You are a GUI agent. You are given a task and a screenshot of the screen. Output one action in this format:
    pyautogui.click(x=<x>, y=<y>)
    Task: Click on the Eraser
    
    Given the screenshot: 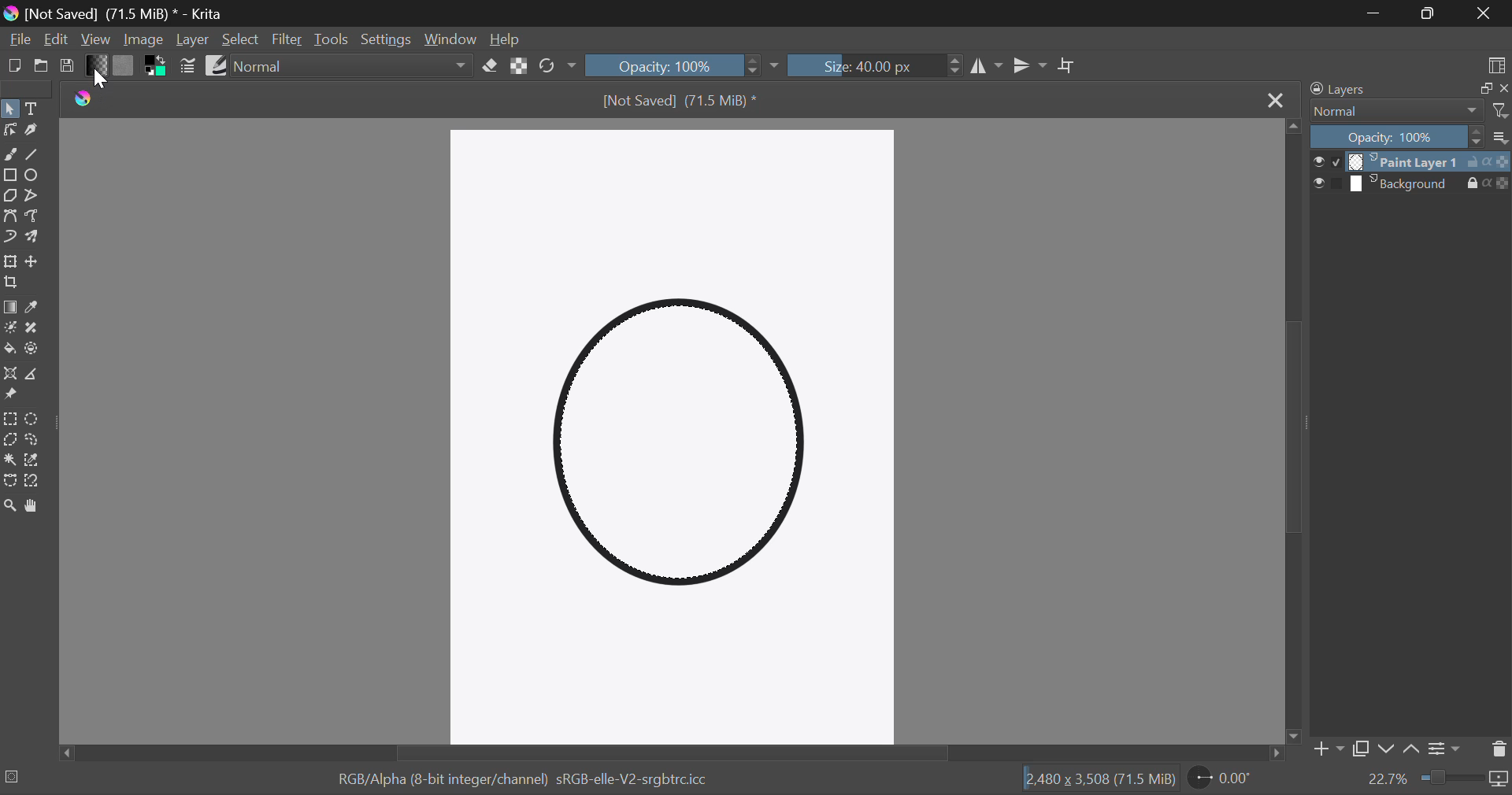 What is the action you would take?
    pyautogui.click(x=490, y=66)
    